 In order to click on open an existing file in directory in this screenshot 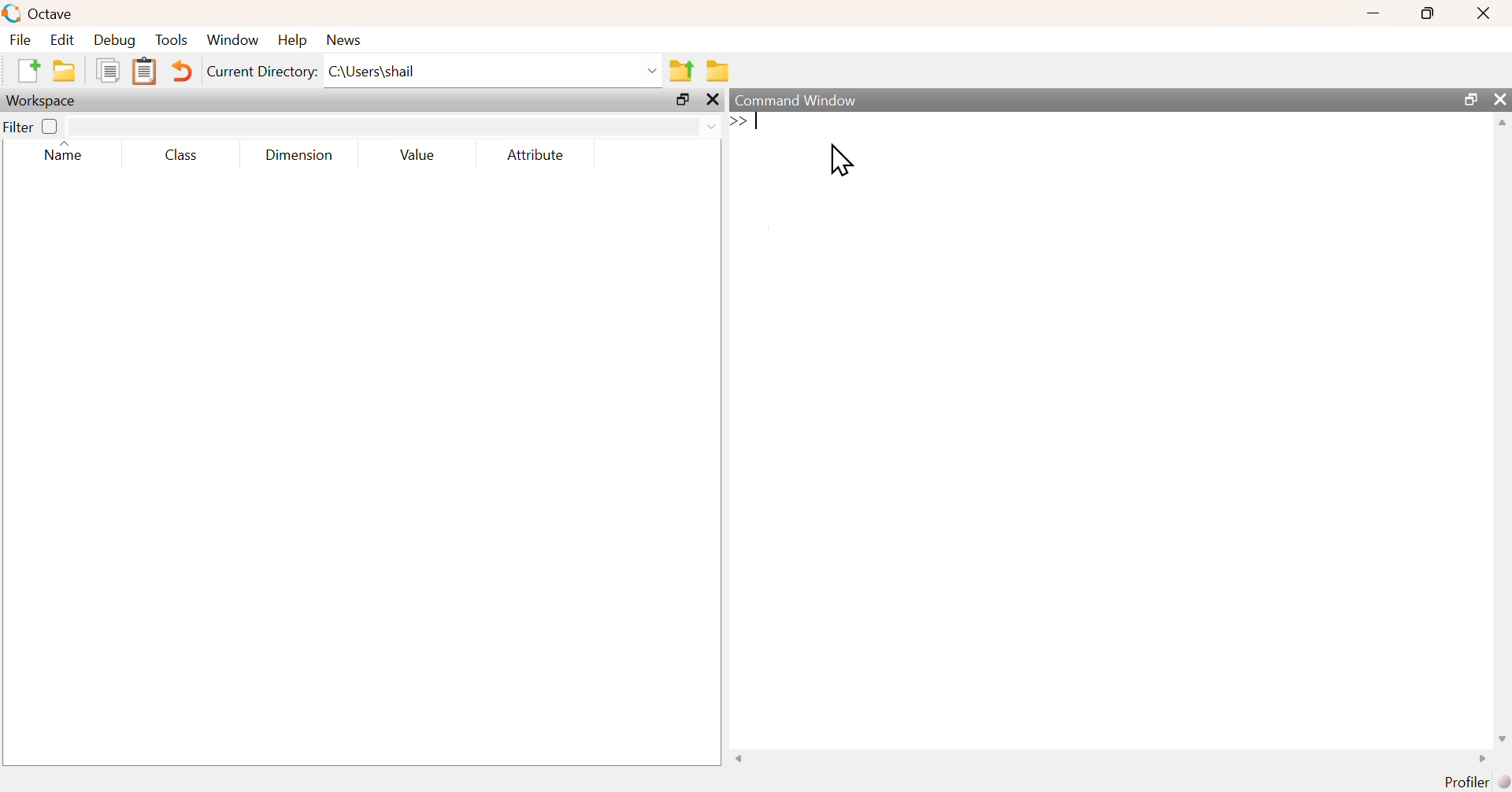, I will do `click(68, 70)`.